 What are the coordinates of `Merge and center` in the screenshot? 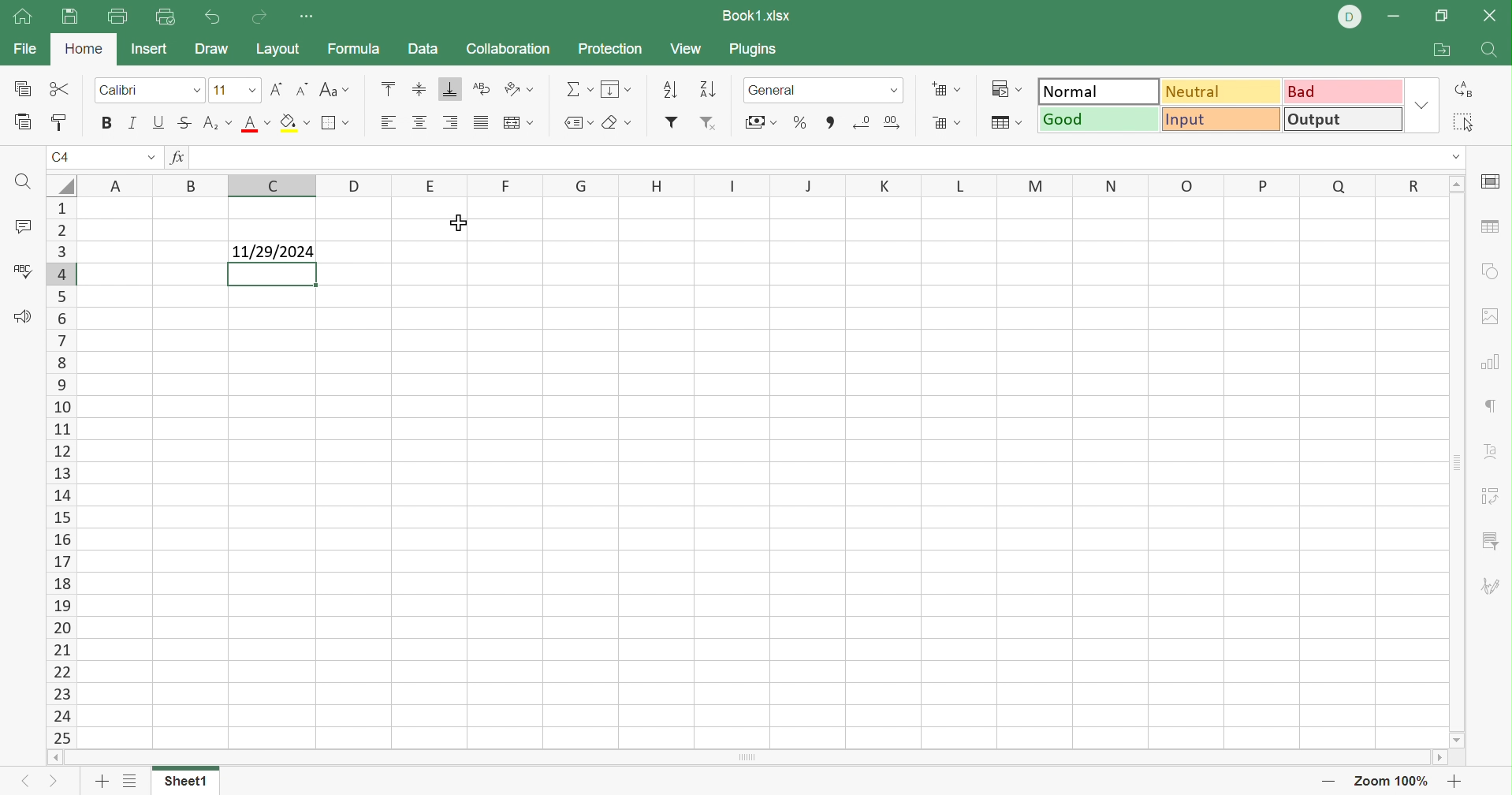 It's located at (520, 122).